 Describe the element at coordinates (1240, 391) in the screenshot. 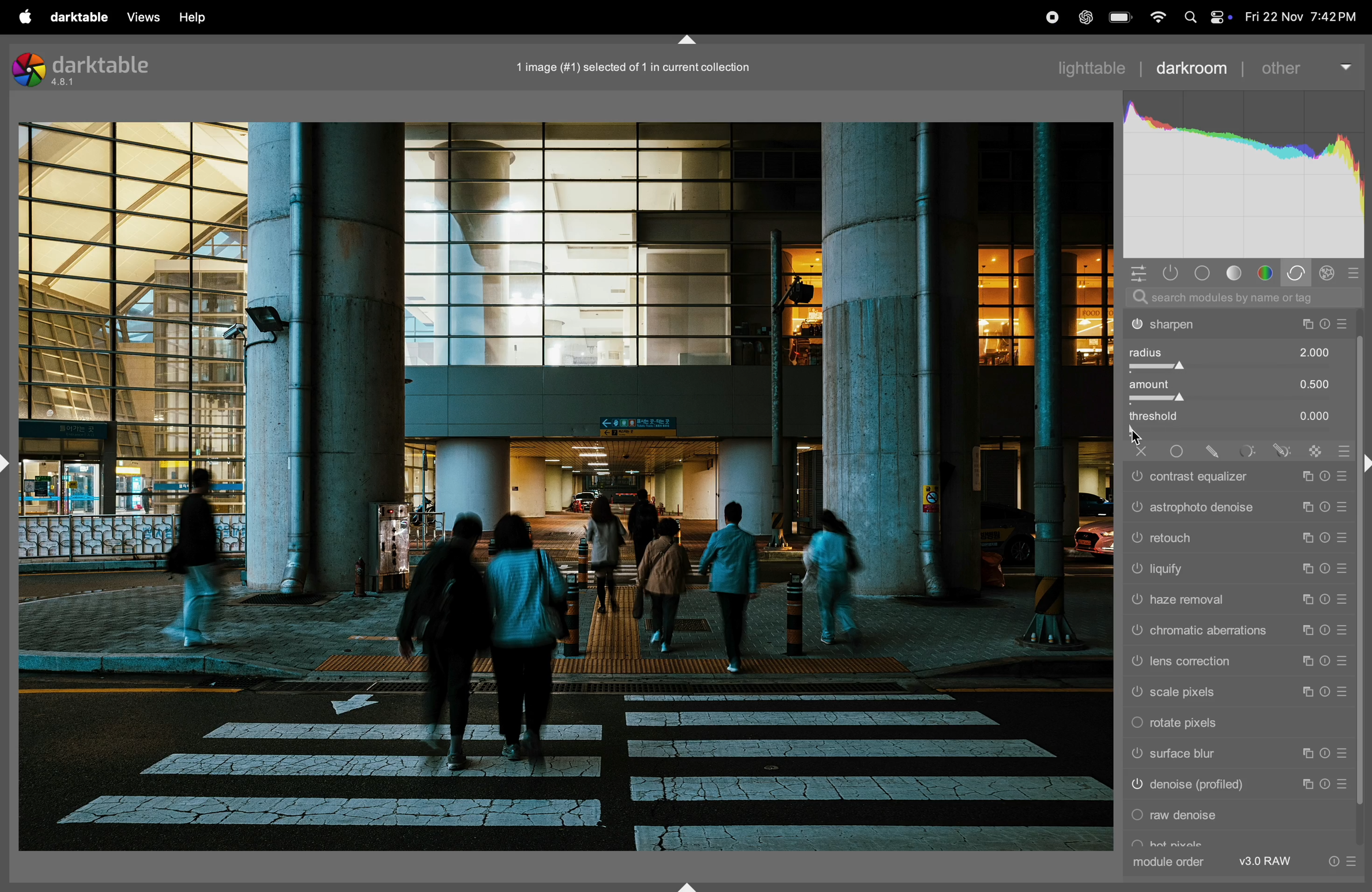

I see `amount` at that location.